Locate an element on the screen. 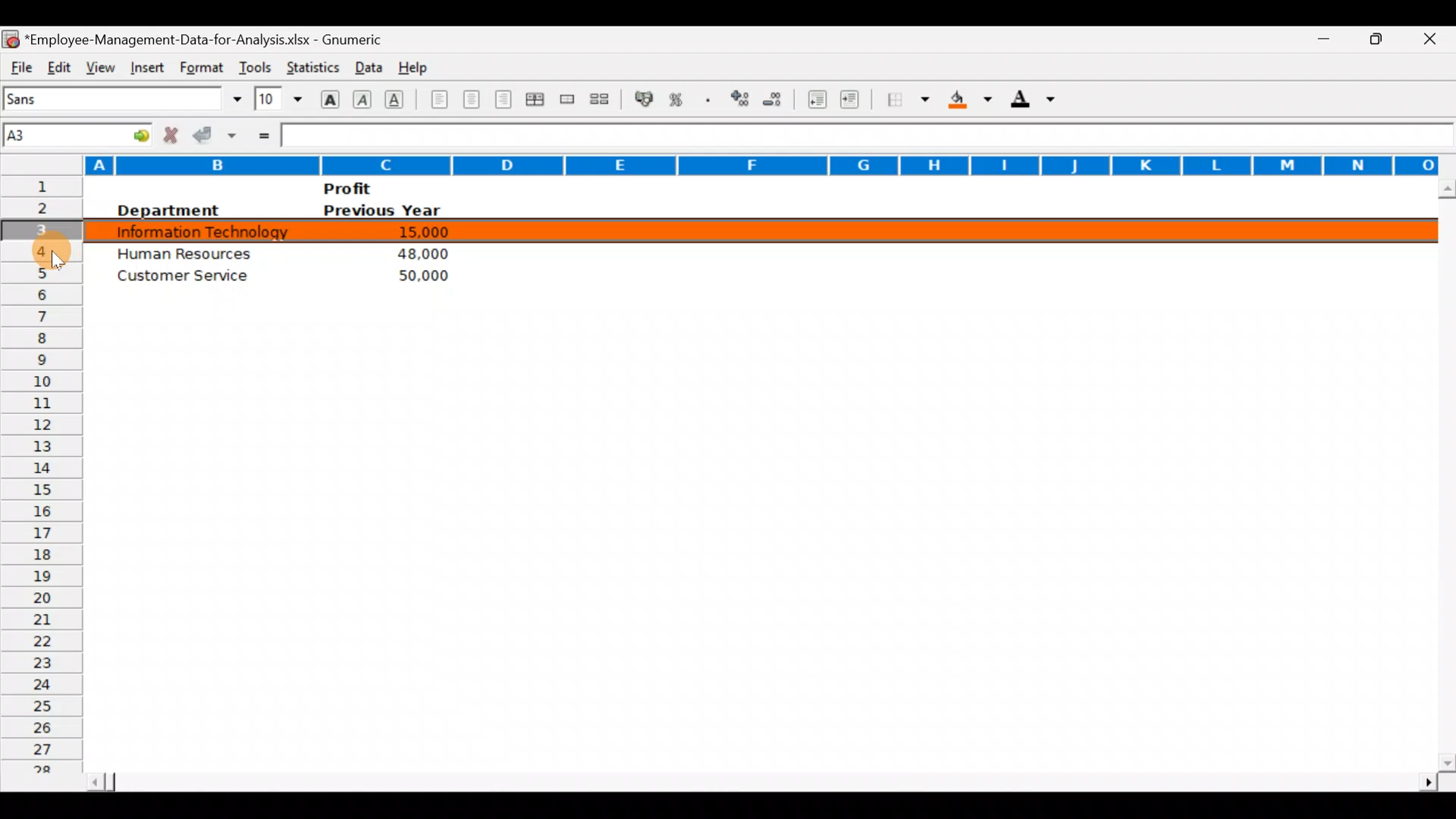 The height and width of the screenshot is (819, 1456). Background is located at coordinates (969, 104).